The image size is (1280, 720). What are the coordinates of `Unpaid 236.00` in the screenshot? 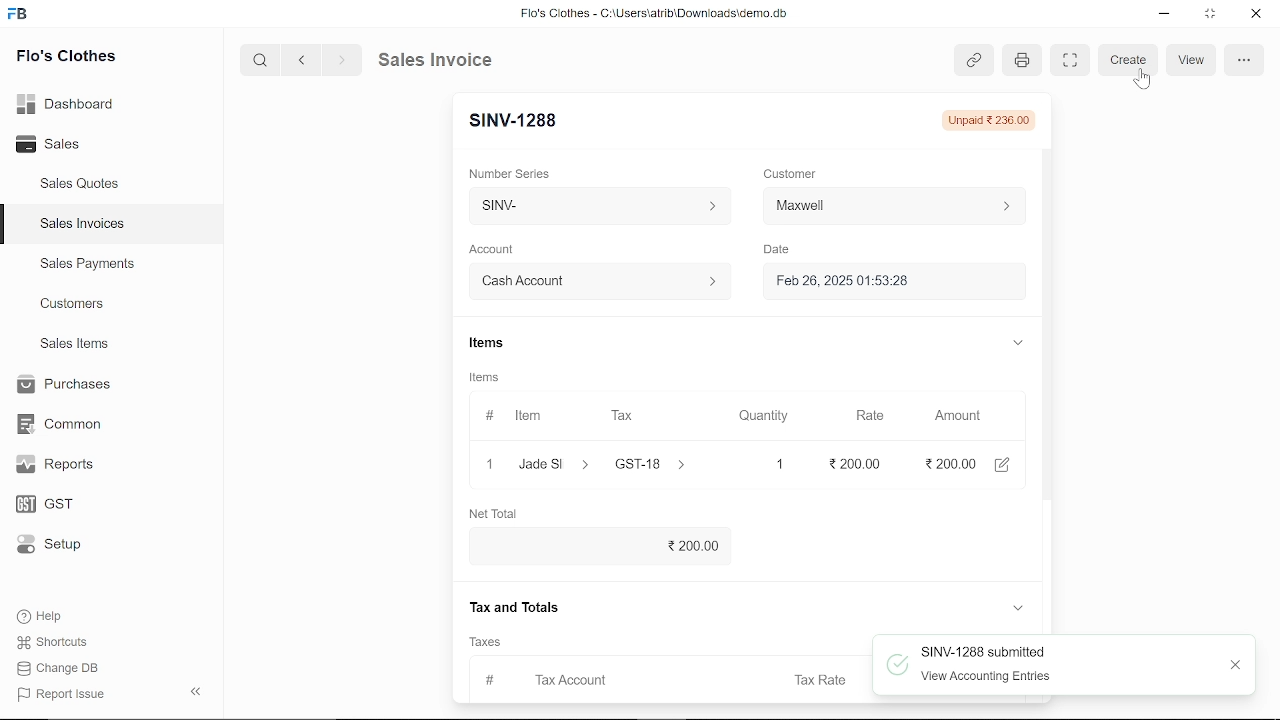 It's located at (987, 120).